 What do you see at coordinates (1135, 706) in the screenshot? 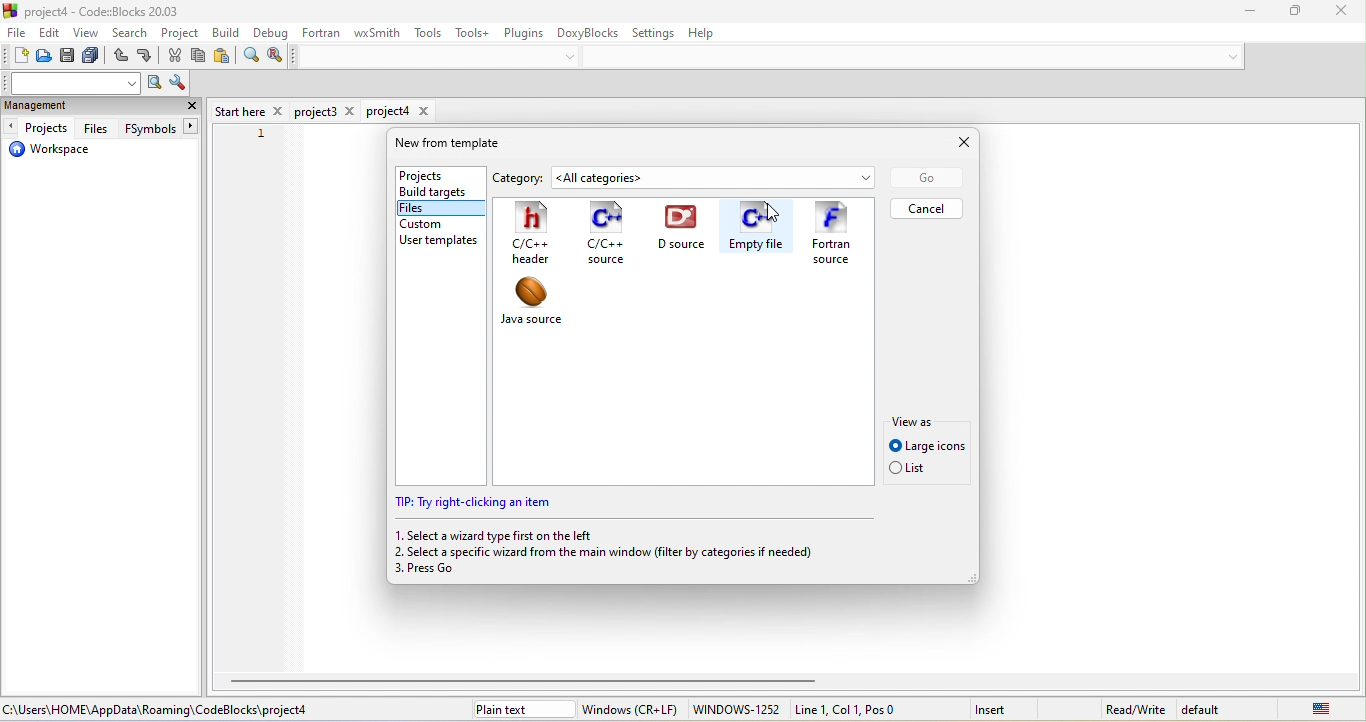
I see `read\write` at bounding box center [1135, 706].